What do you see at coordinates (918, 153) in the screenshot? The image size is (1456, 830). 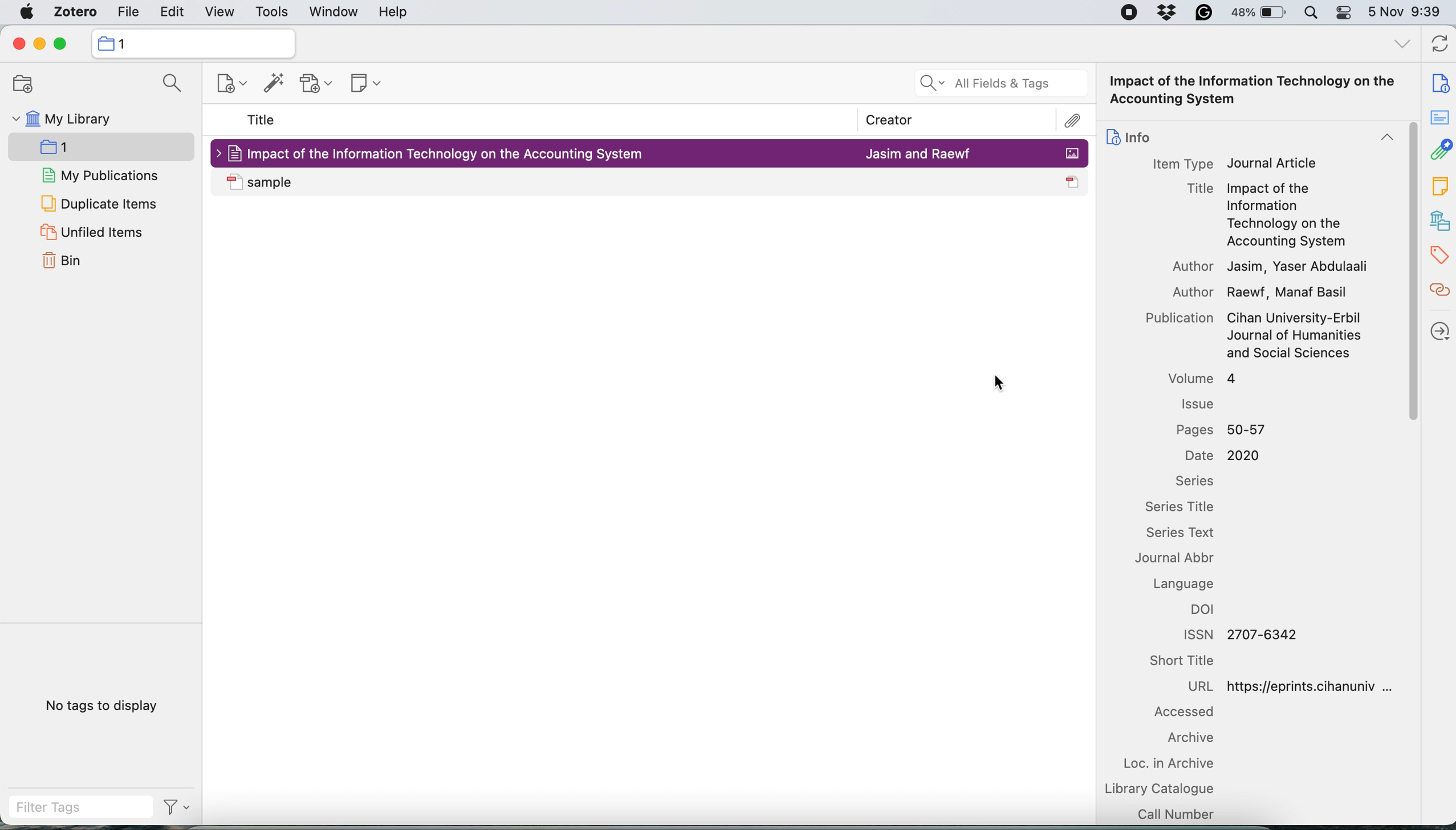 I see `Jasim and Raewf` at bounding box center [918, 153].